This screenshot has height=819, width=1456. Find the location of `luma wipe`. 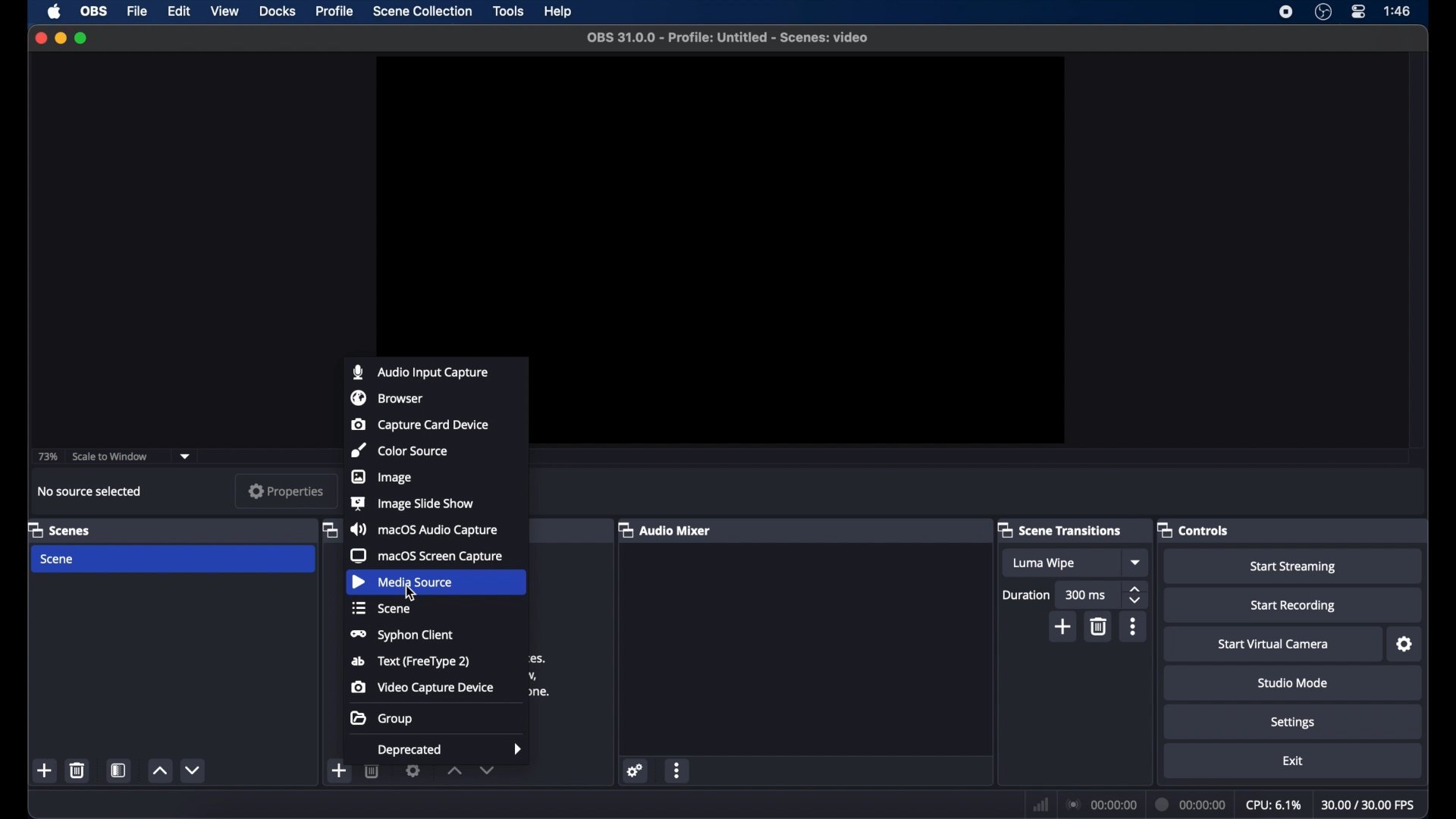

luma wipe is located at coordinates (1045, 563).